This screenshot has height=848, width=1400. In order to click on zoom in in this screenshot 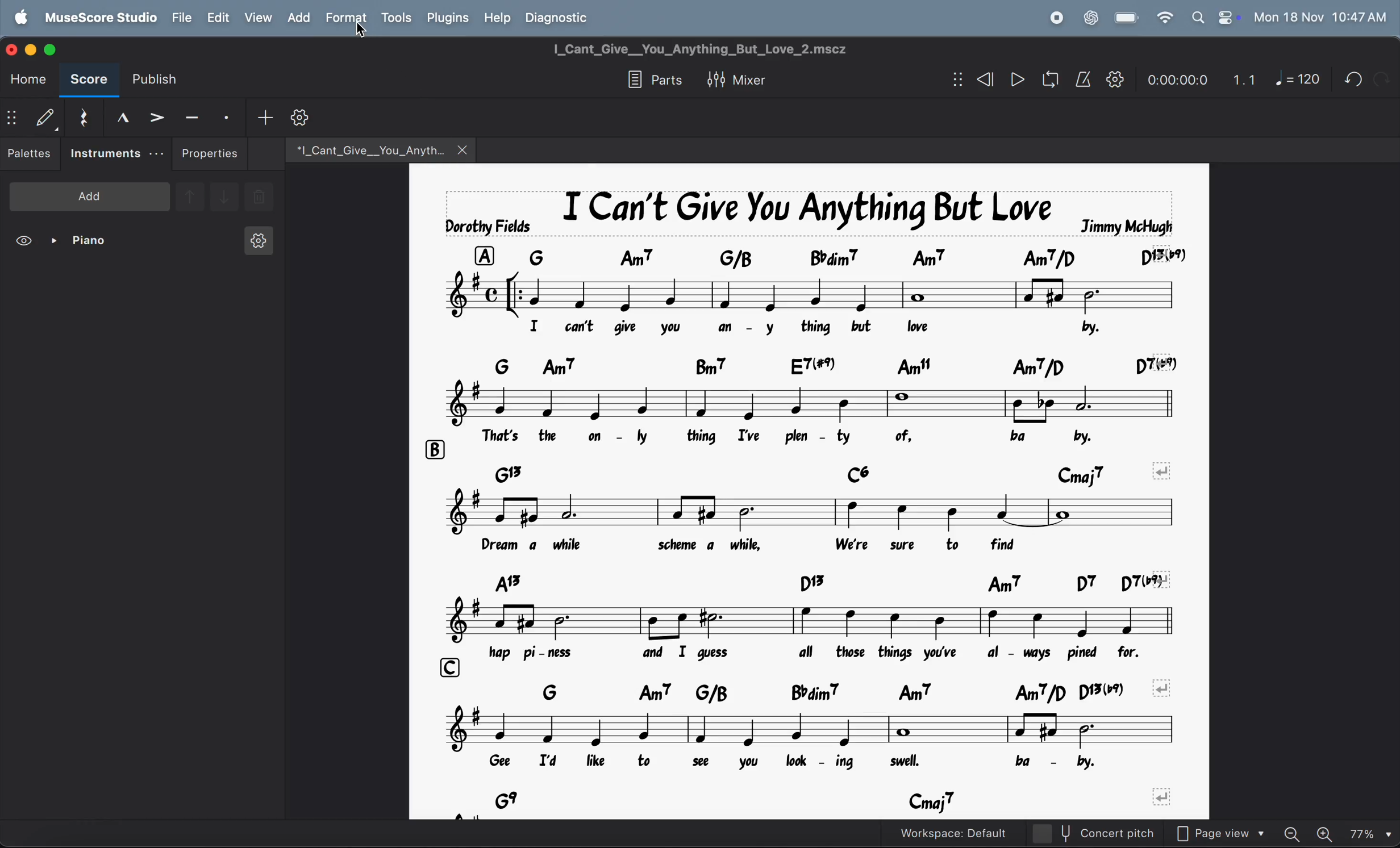, I will do `click(1327, 832)`.